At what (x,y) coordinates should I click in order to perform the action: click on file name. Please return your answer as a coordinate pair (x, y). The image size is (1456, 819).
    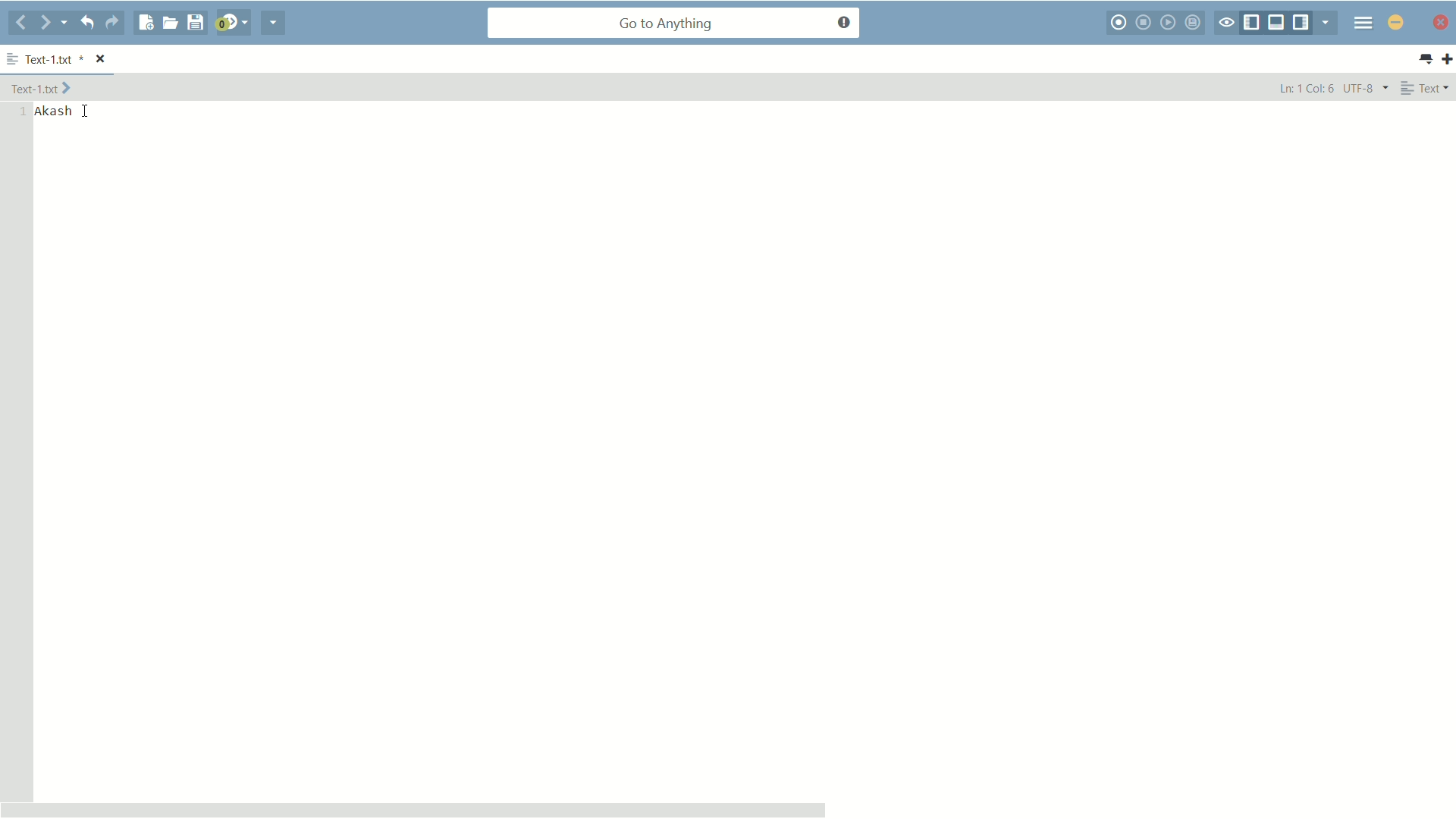
    Looking at the image, I should click on (52, 61).